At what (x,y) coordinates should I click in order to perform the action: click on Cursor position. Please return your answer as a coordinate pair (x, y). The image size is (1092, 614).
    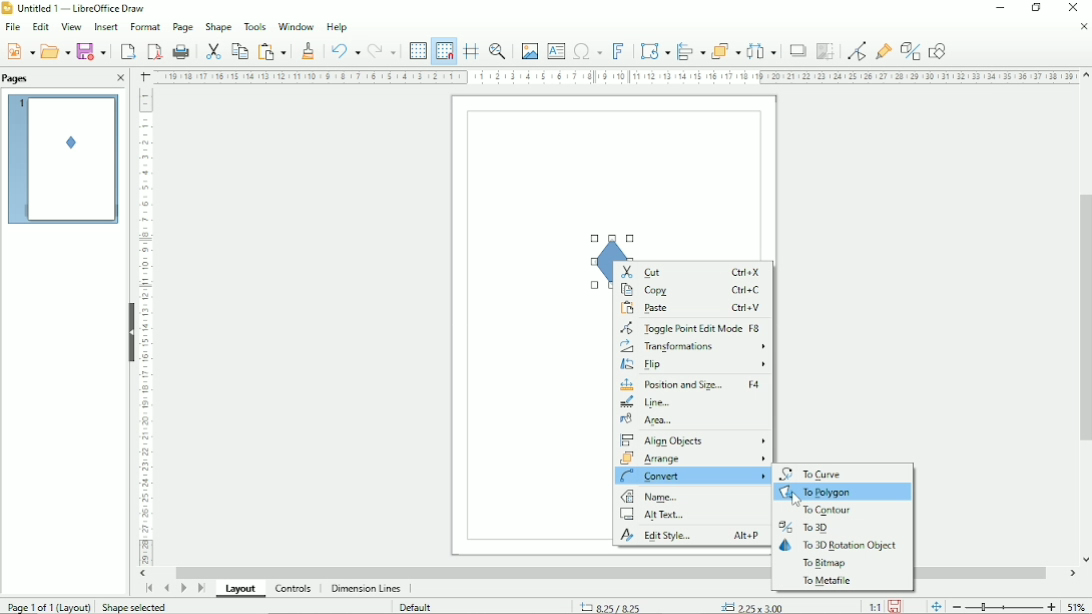
    Looking at the image, I should click on (687, 604).